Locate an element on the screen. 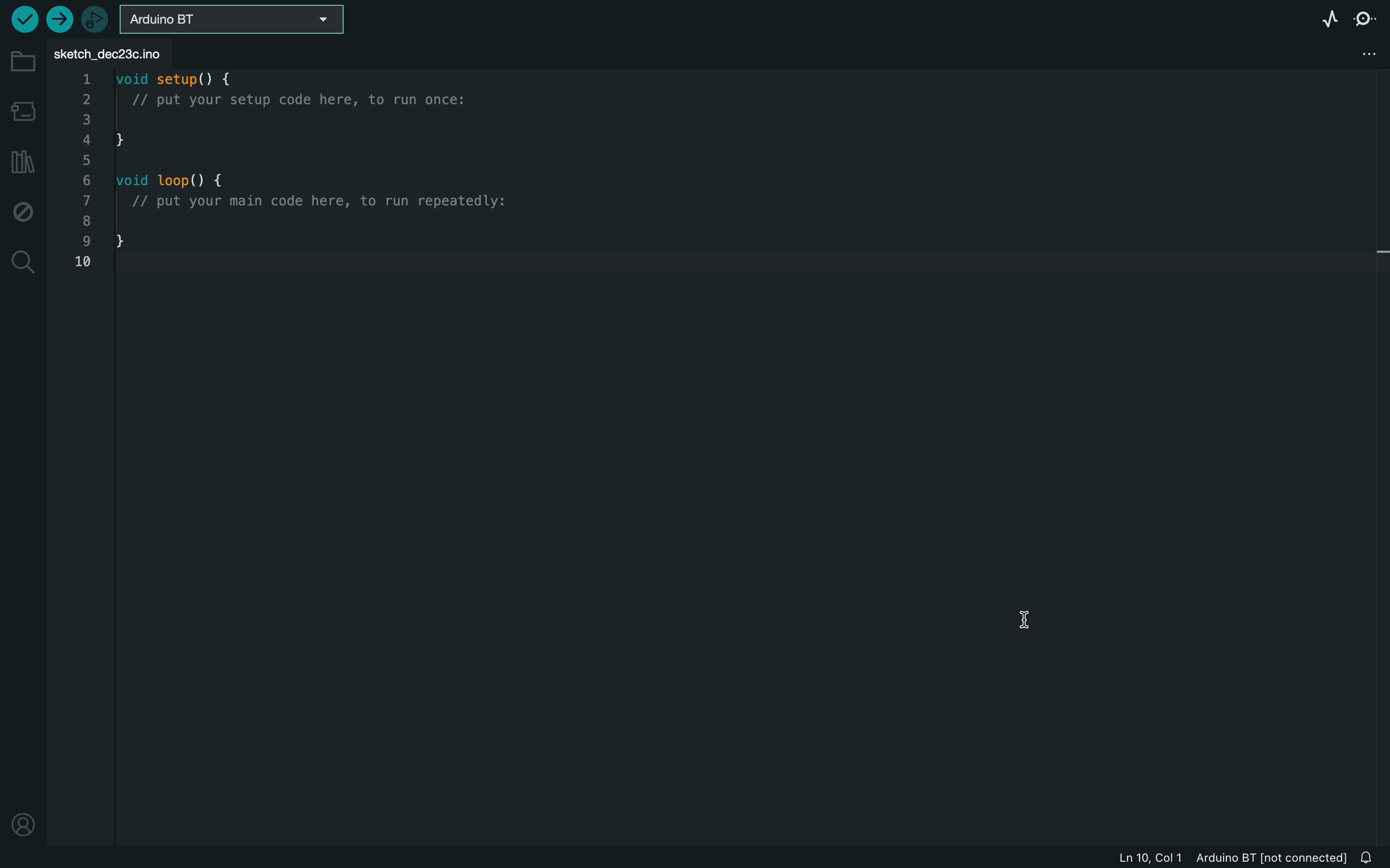  library manager is located at coordinates (24, 165).